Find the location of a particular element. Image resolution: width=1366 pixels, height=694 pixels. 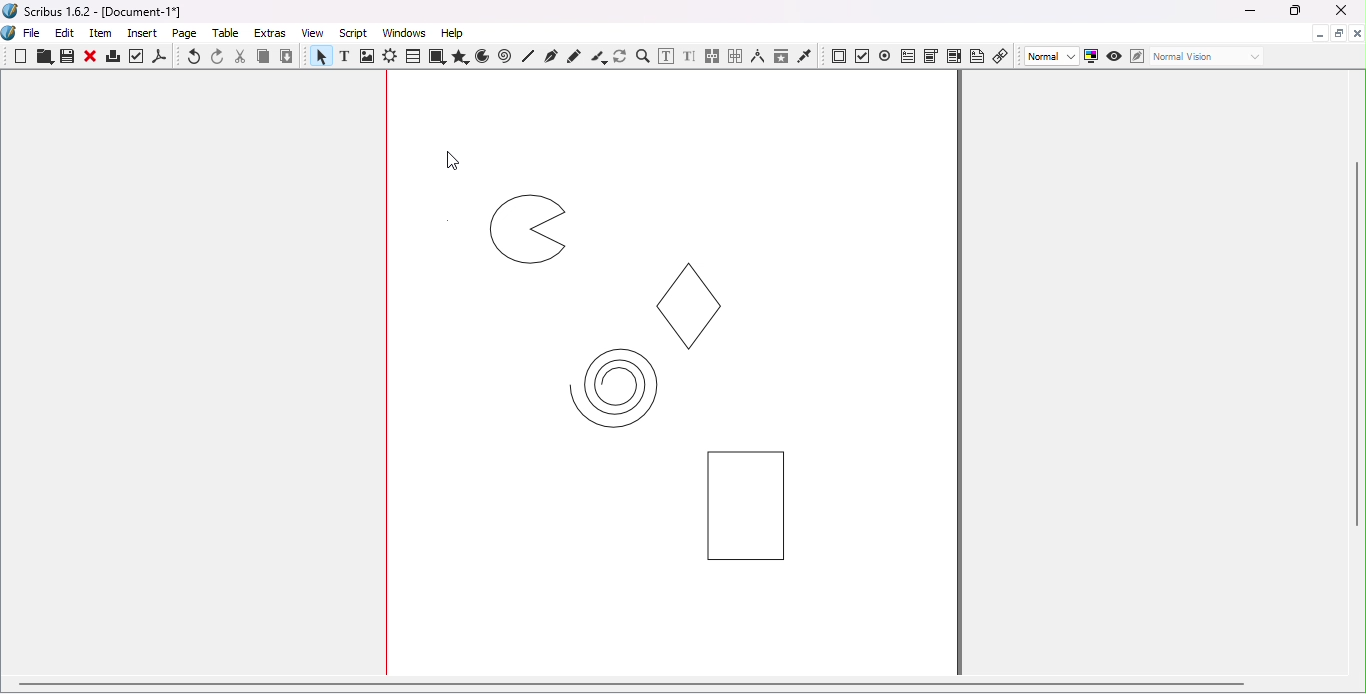

Freehand line is located at coordinates (575, 56).